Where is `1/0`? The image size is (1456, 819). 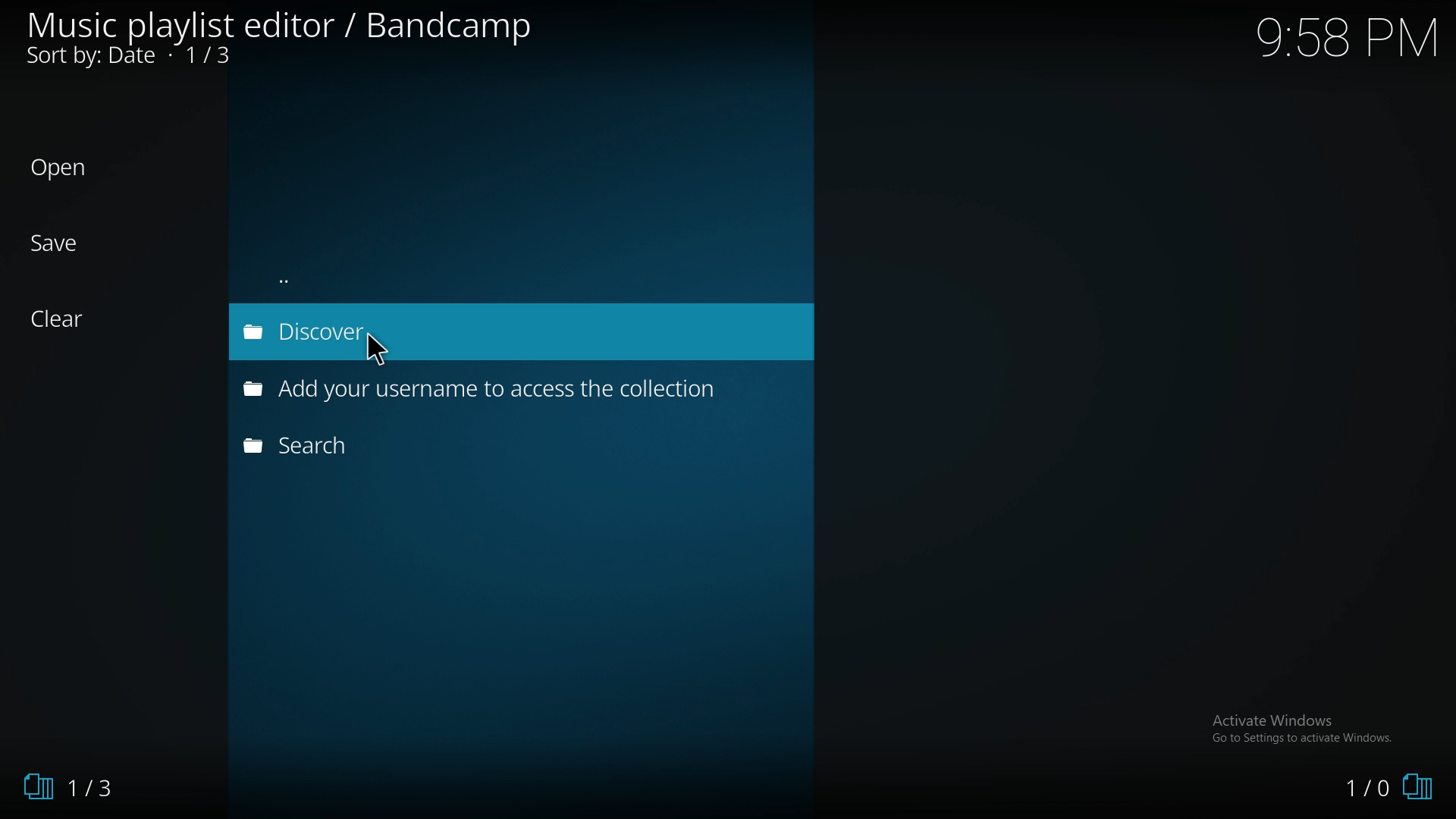
1/0 is located at coordinates (1388, 789).